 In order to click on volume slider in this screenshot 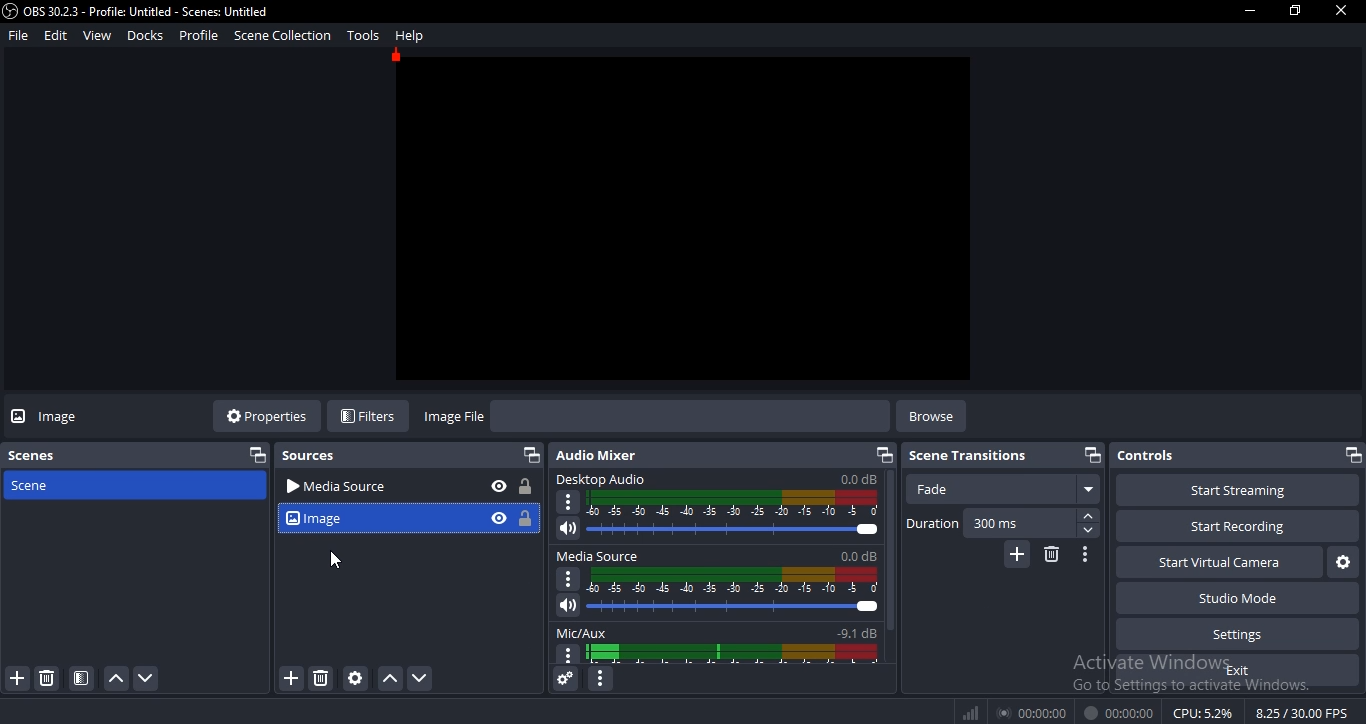, I will do `click(713, 529)`.